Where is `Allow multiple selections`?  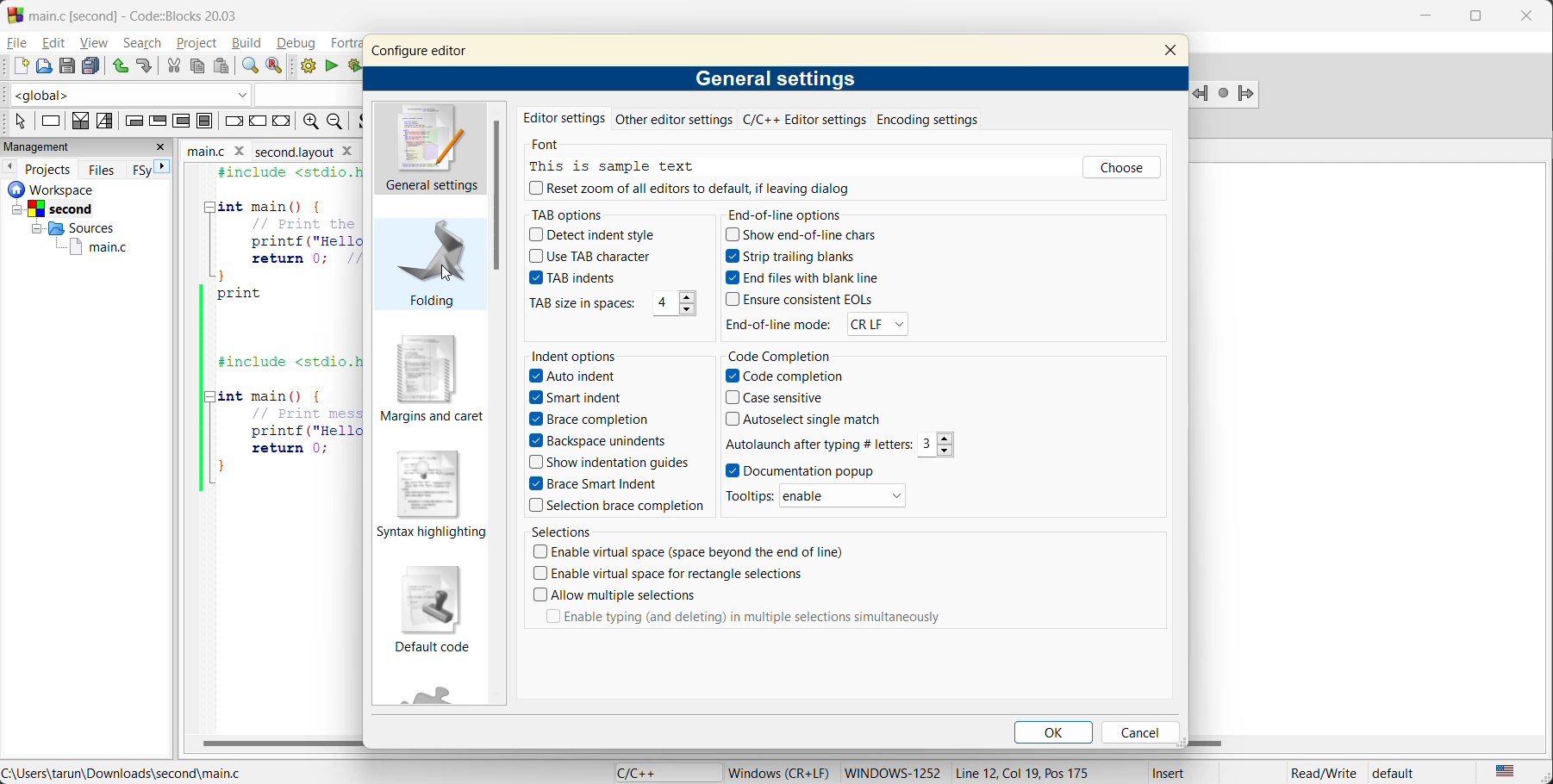 Allow multiple selections is located at coordinates (626, 594).